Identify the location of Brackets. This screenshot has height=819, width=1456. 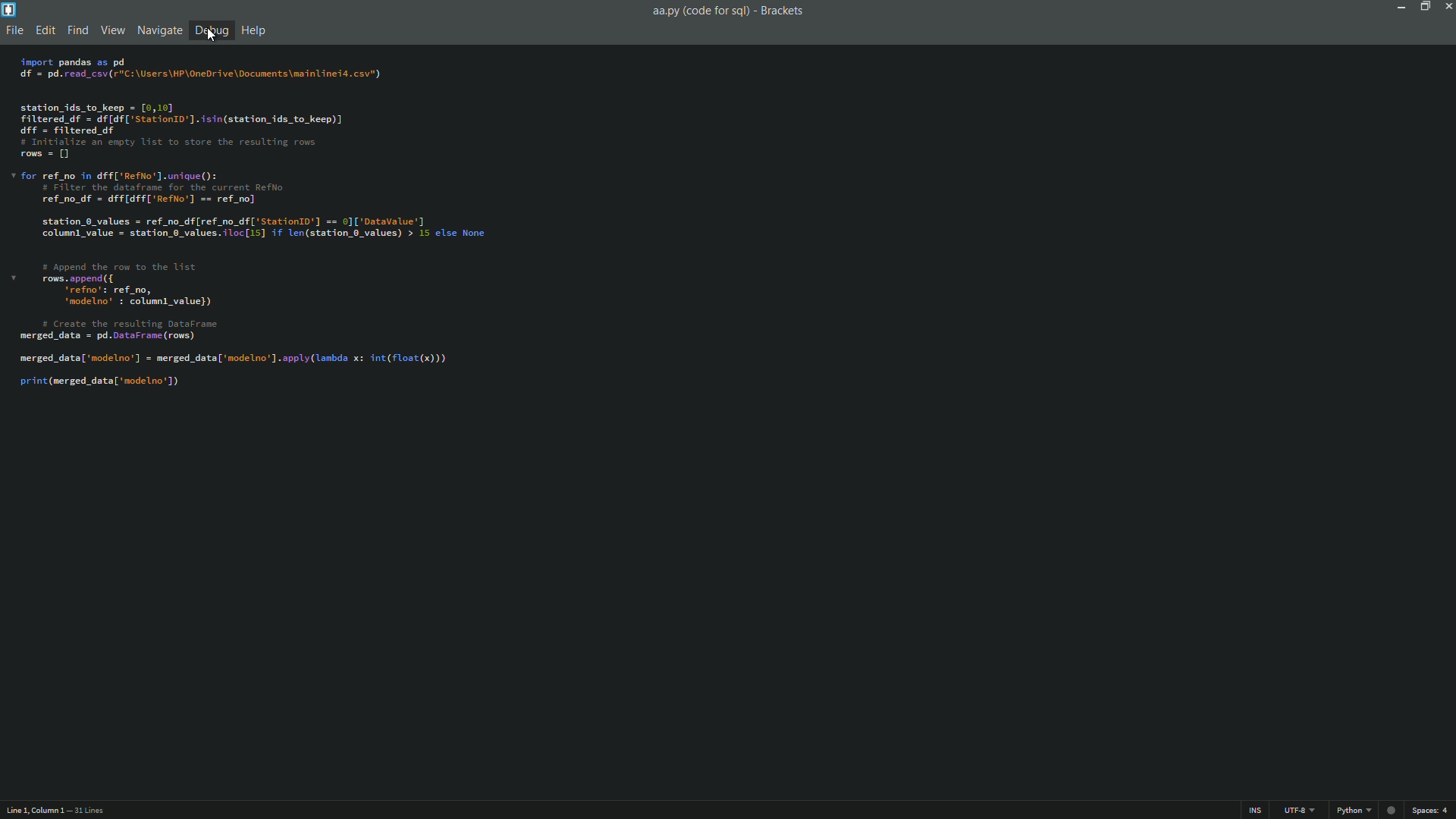
(786, 11).